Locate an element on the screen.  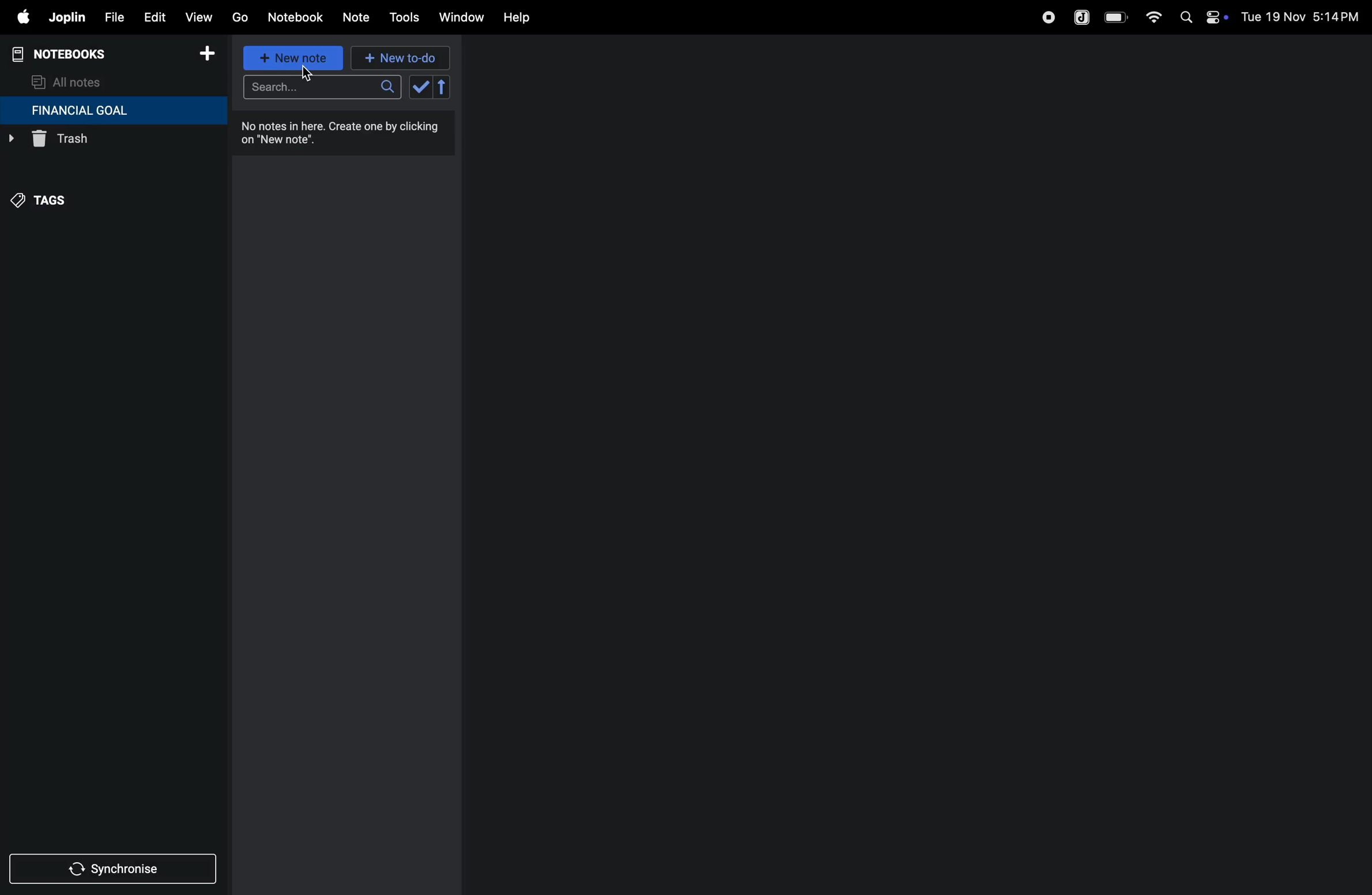
notebooks is located at coordinates (69, 54).